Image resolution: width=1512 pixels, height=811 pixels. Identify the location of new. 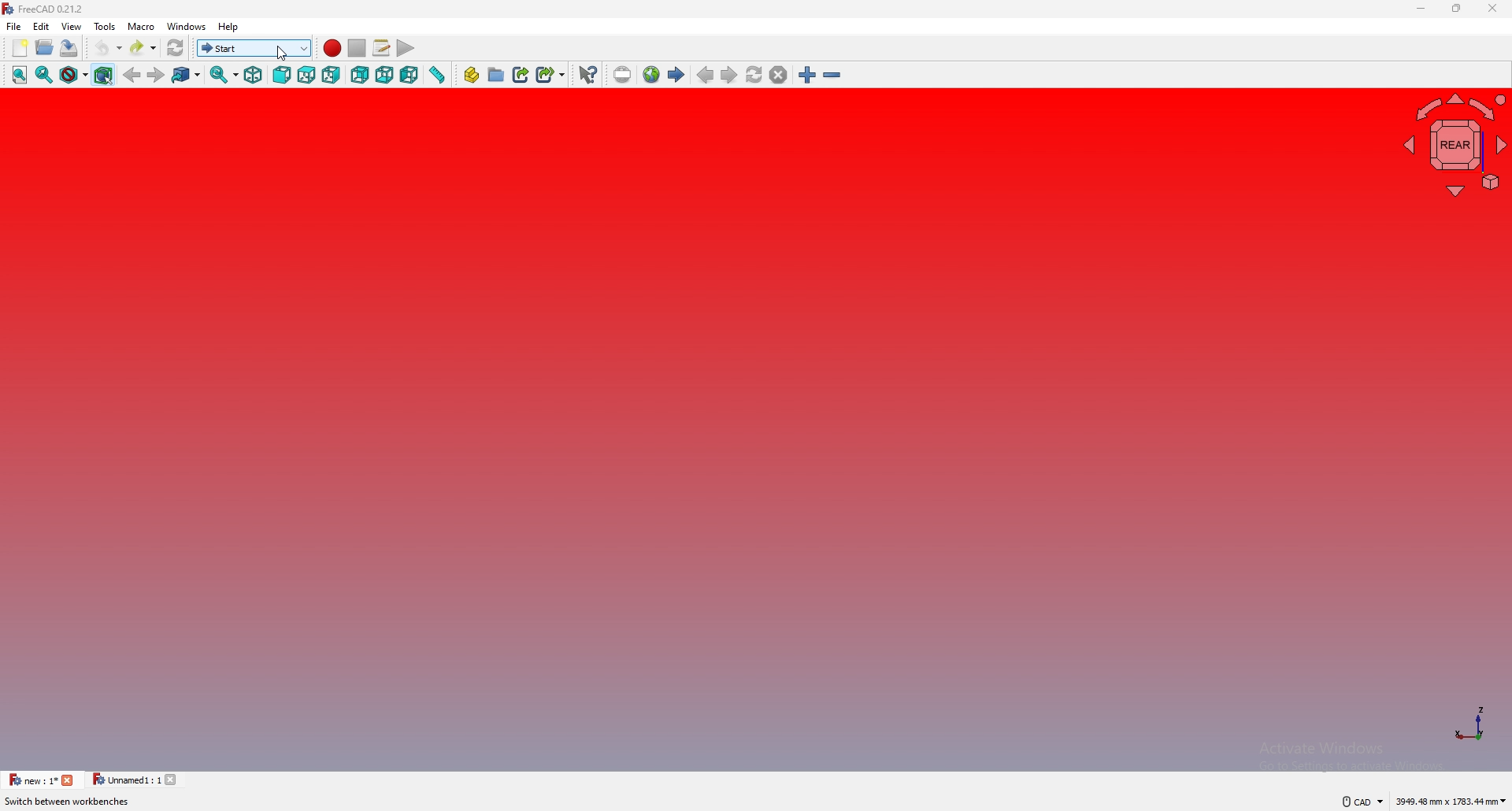
(18, 48).